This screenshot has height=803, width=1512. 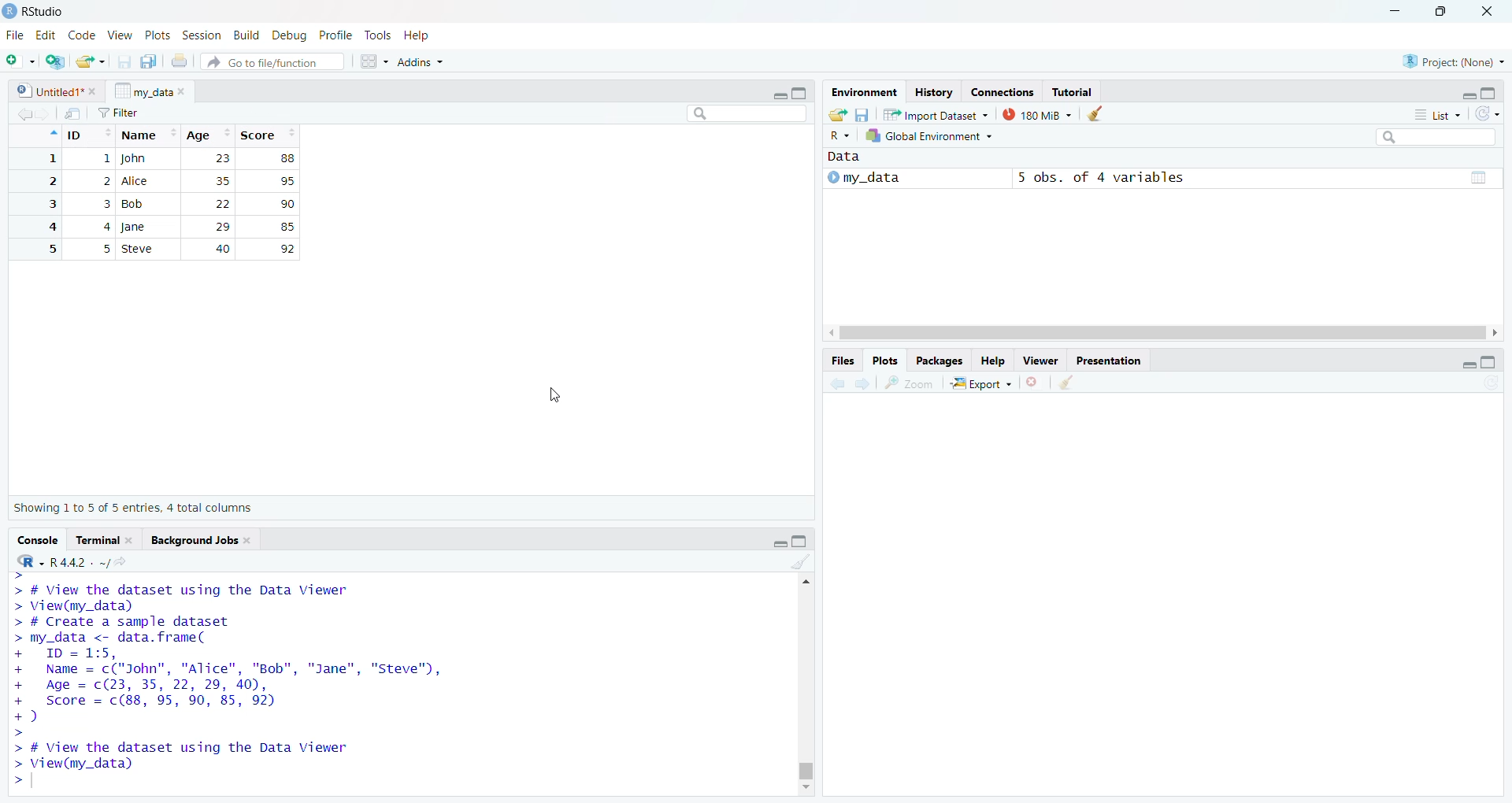 What do you see at coordinates (34, 11) in the screenshot?
I see `Rstudio` at bounding box center [34, 11].